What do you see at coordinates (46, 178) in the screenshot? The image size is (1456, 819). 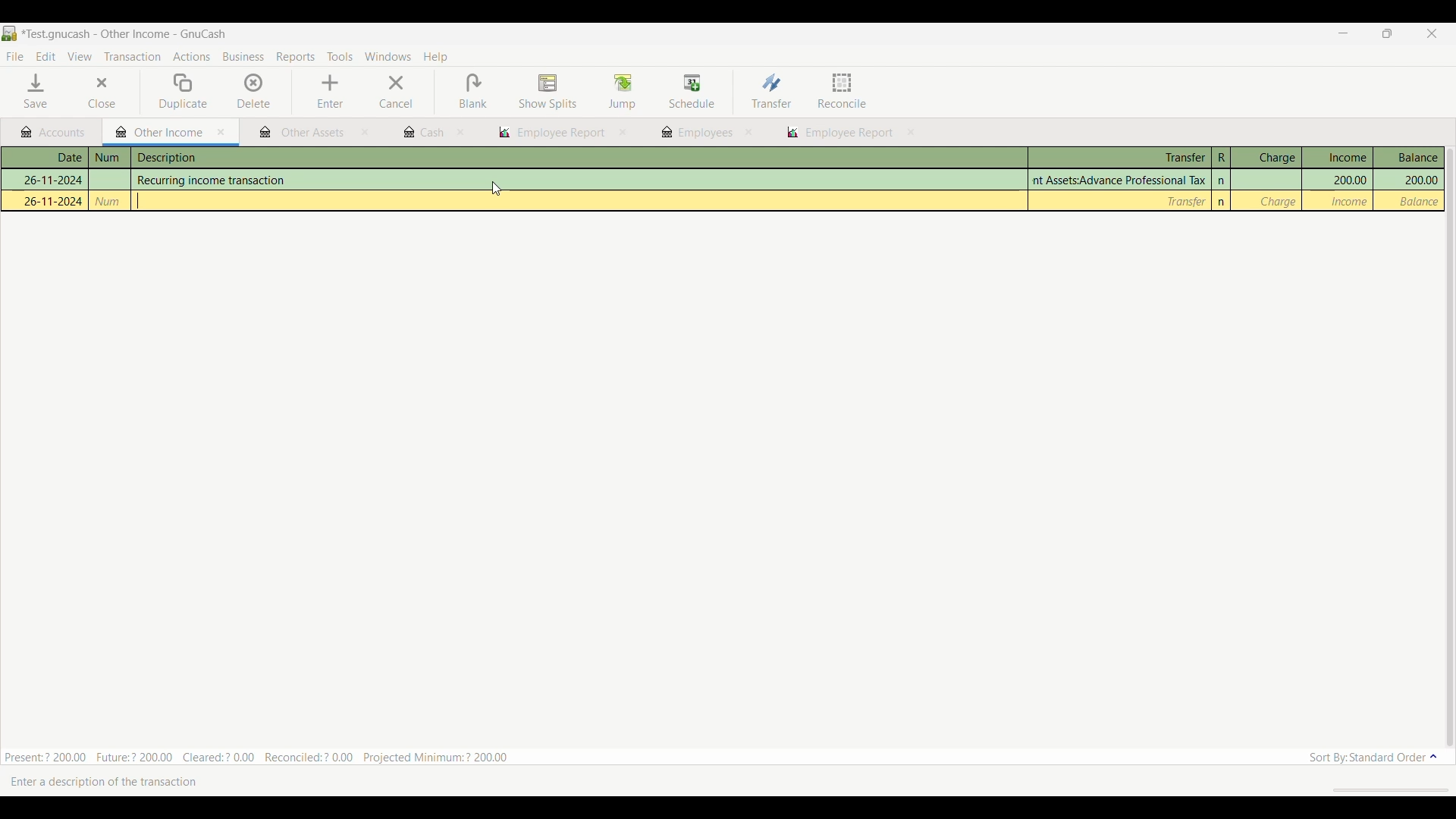 I see `26-11-2024` at bounding box center [46, 178].